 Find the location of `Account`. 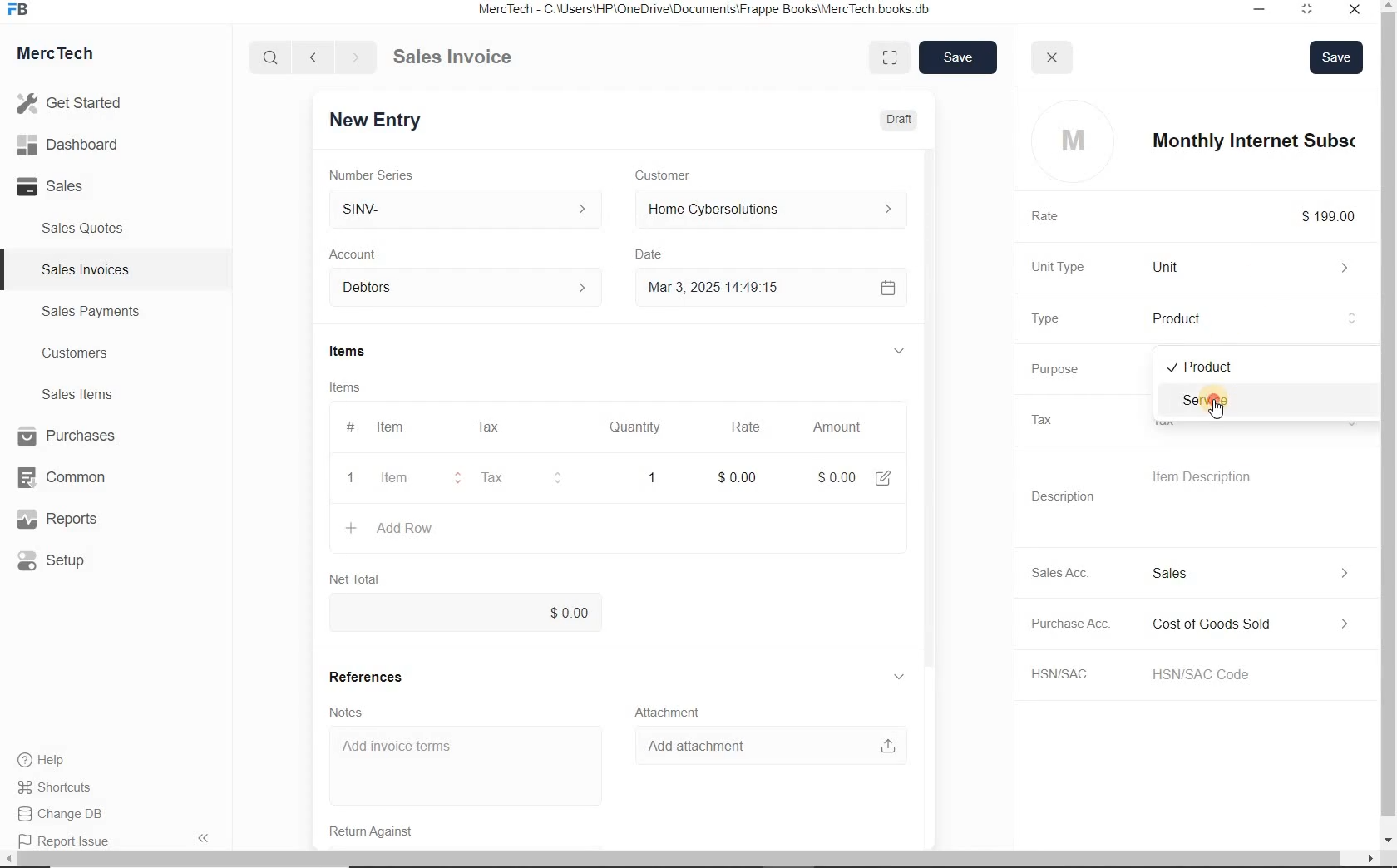

Account is located at coordinates (367, 254).